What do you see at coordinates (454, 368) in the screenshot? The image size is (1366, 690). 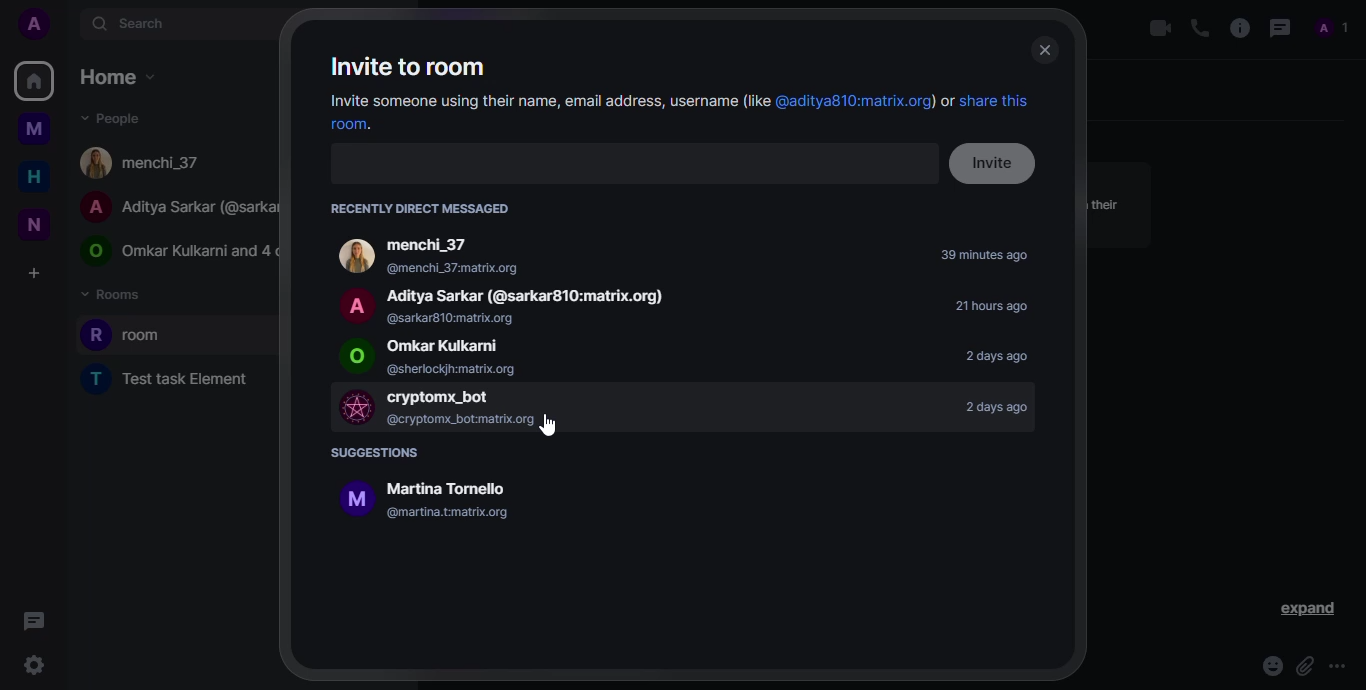 I see `@sherlockjh:matrix.org` at bounding box center [454, 368].